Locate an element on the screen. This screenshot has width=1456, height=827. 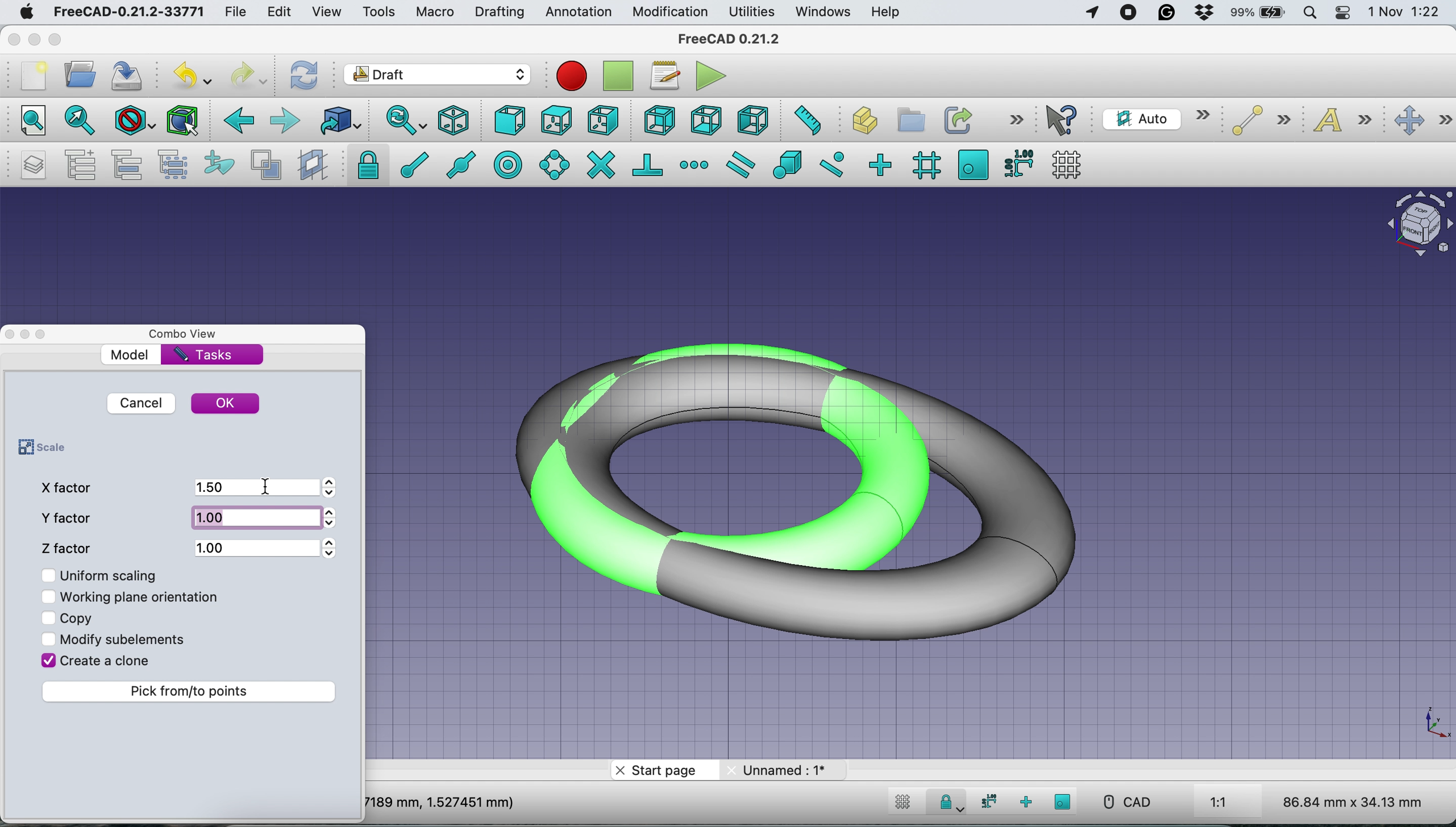
z factor is located at coordinates (70, 545).